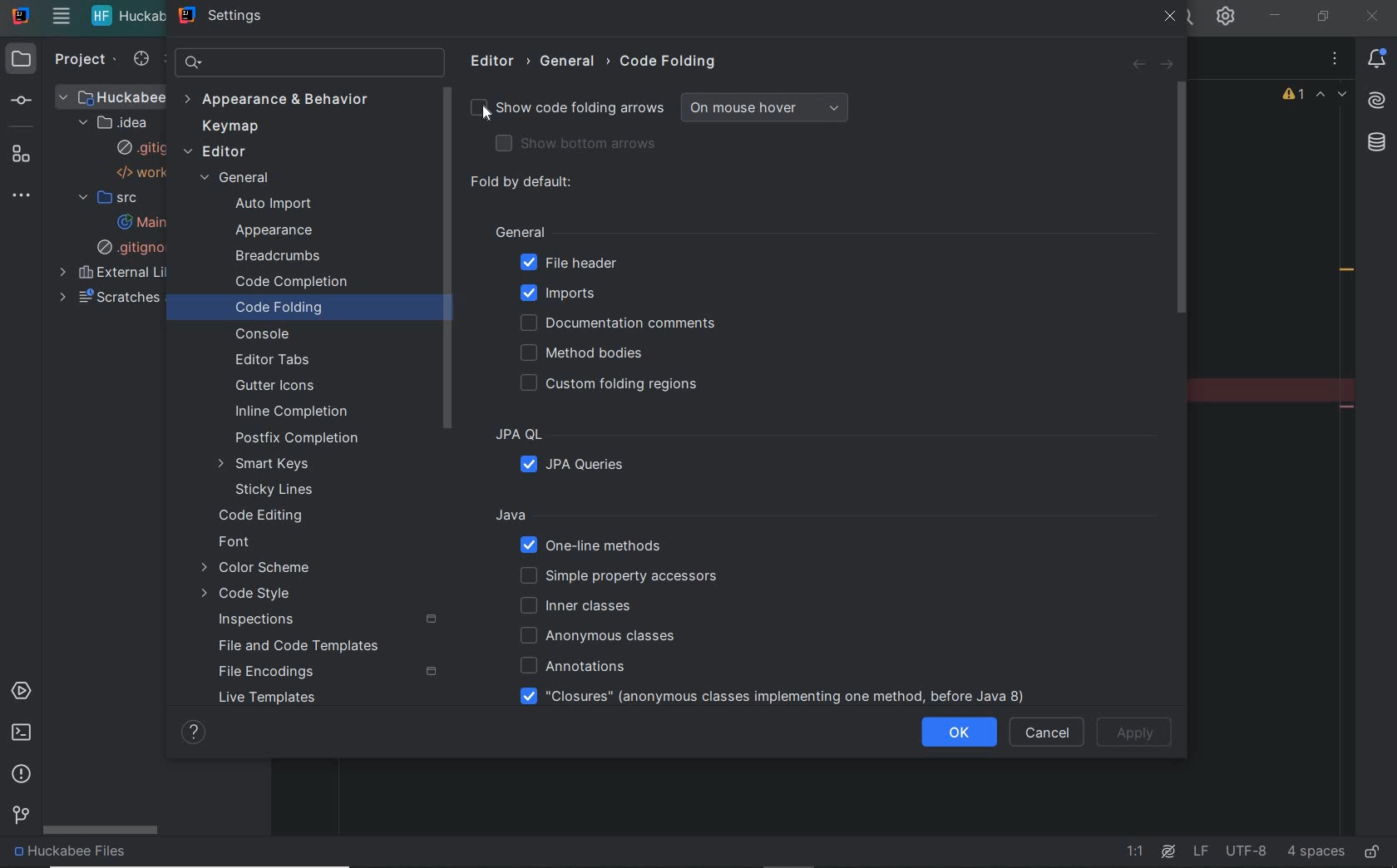 This screenshot has height=868, width=1397. Describe the element at coordinates (1183, 204) in the screenshot. I see `scrollbar` at that location.